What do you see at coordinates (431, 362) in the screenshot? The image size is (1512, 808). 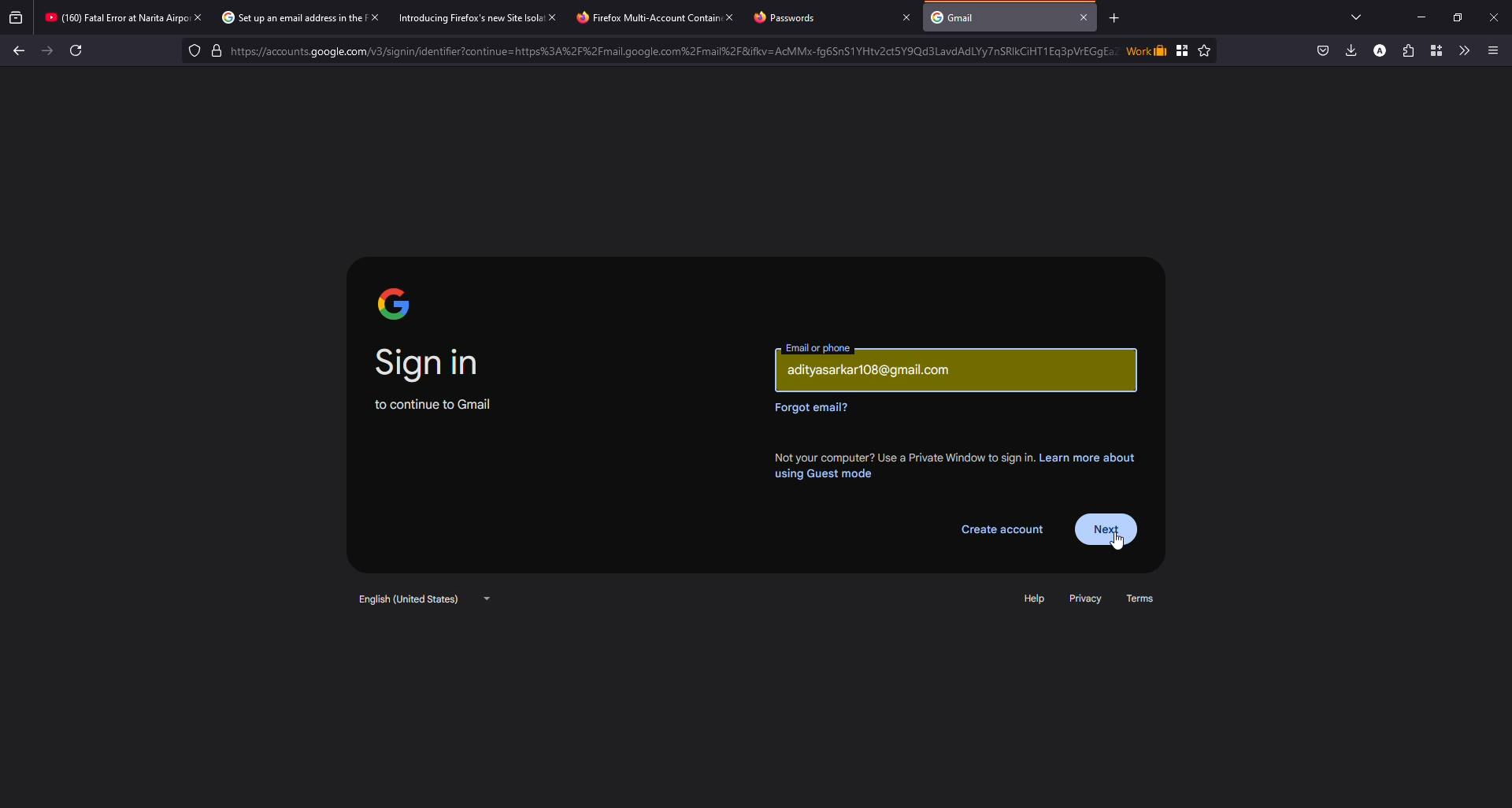 I see `sign in` at bounding box center [431, 362].